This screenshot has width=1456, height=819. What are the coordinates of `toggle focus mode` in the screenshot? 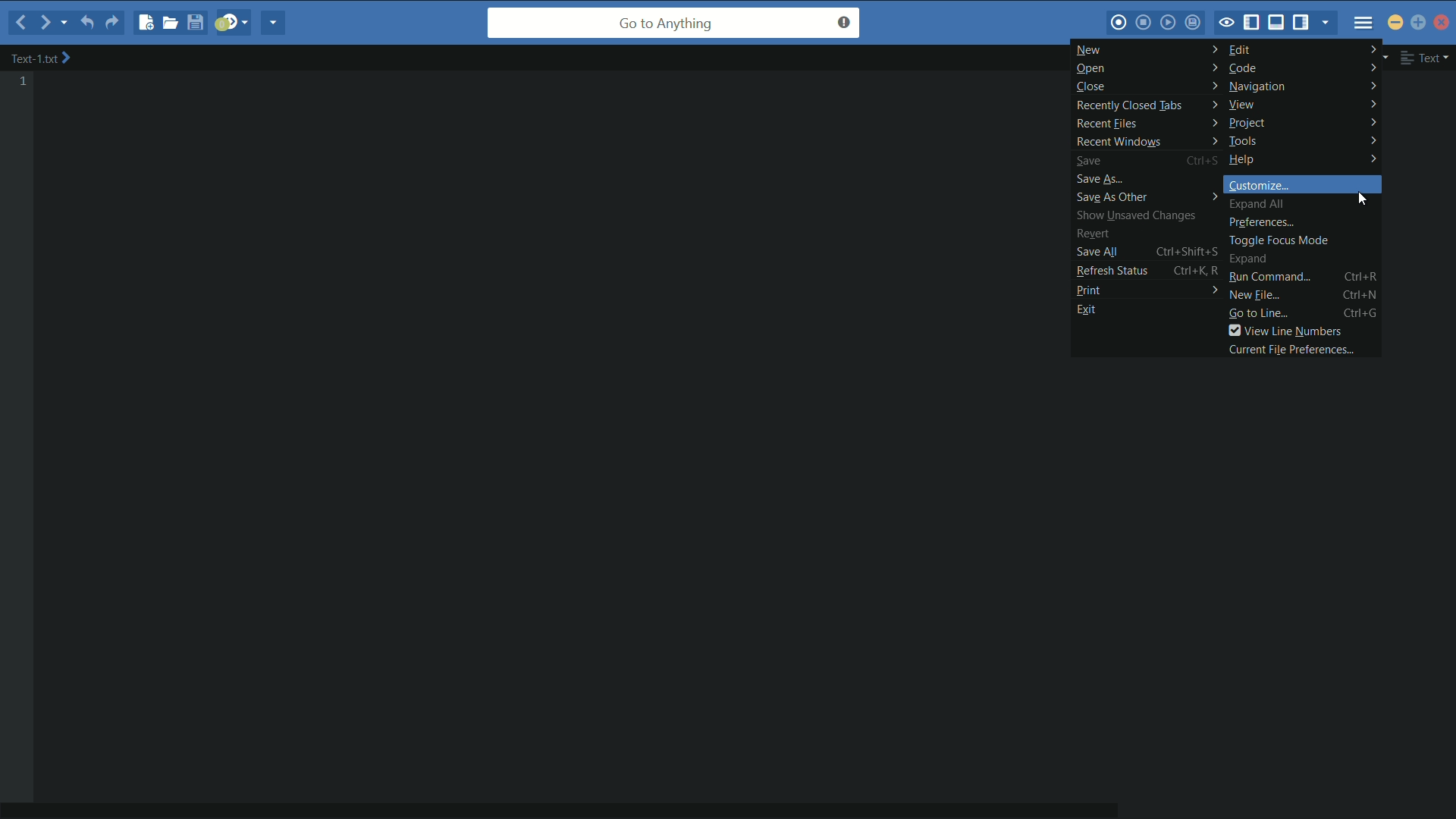 It's located at (1227, 22).